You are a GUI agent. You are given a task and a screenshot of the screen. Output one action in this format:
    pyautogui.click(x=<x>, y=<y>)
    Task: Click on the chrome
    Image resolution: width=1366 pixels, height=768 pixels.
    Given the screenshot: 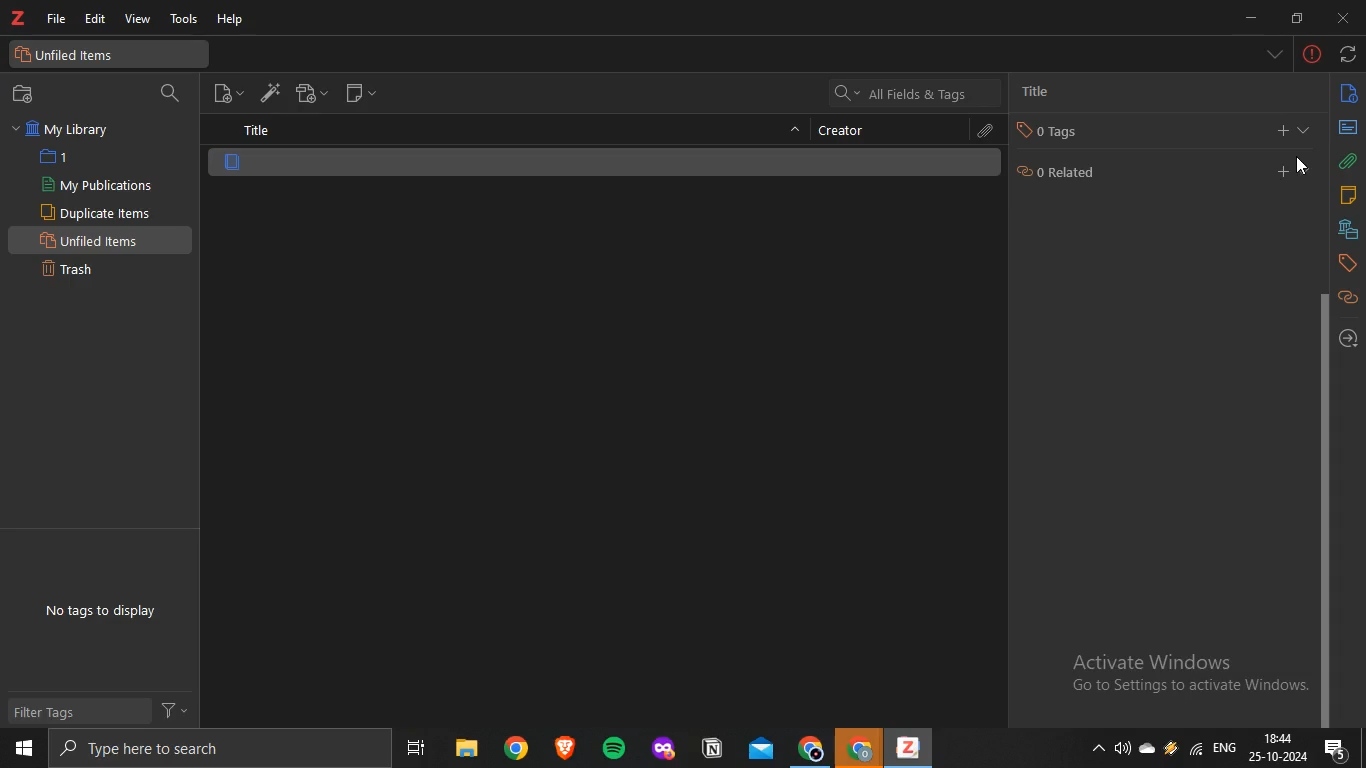 What is the action you would take?
    pyautogui.click(x=854, y=746)
    